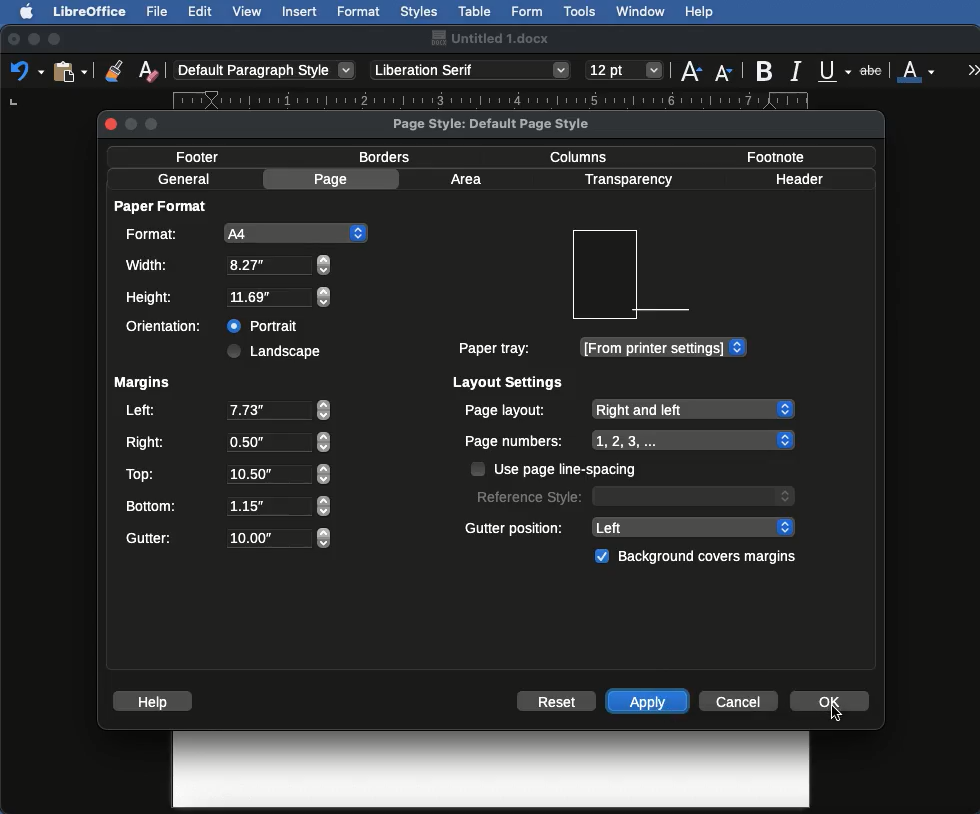 Image resolution: width=980 pixels, height=814 pixels. Describe the element at coordinates (652, 701) in the screenshot. I see `Apply` at that location.